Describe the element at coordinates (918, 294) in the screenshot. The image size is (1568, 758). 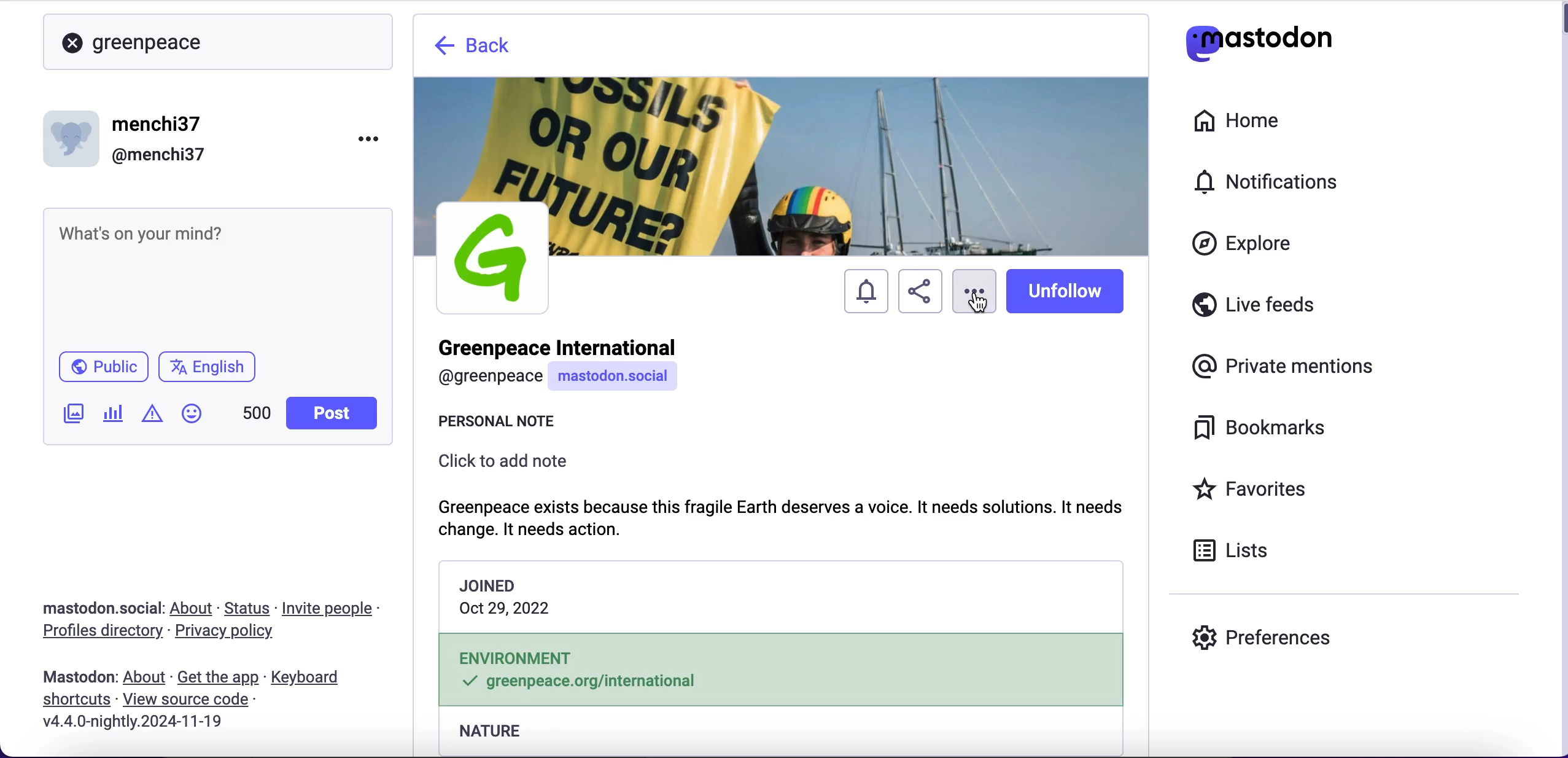
I see `share` at that location.